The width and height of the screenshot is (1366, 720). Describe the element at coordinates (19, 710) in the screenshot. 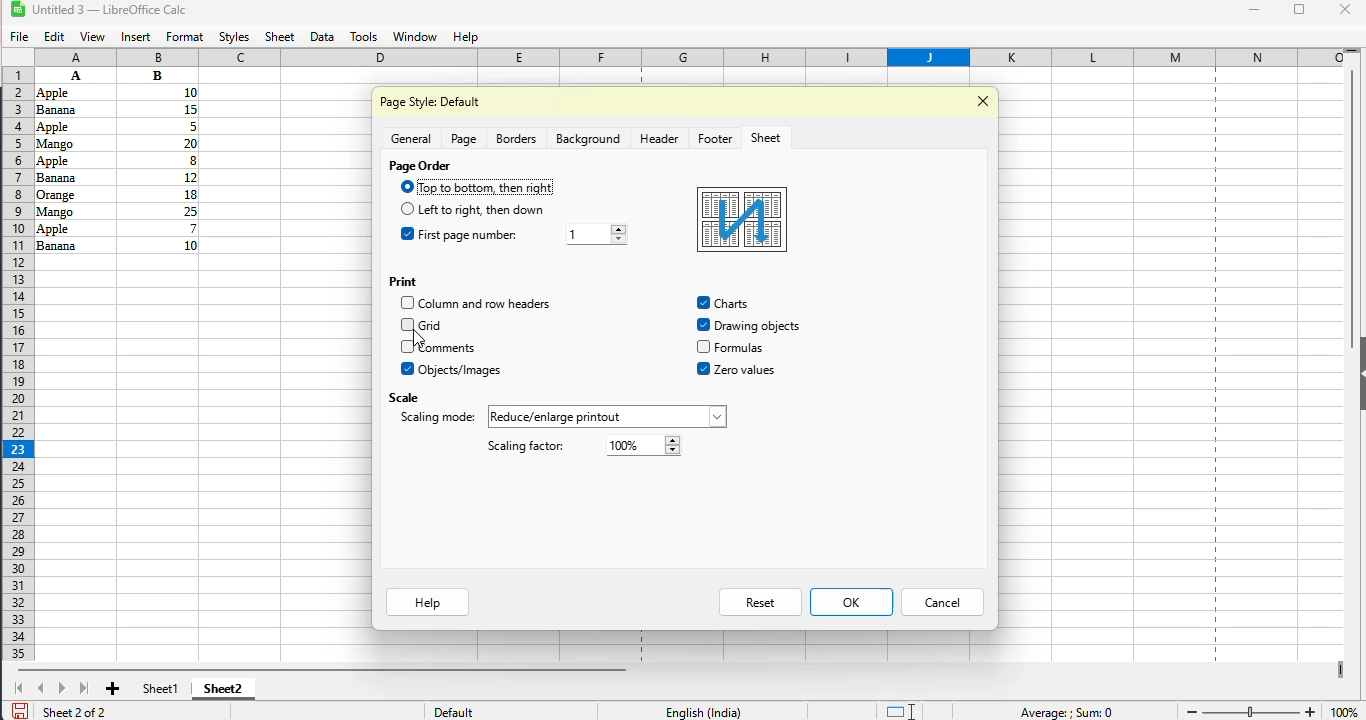

I see `click to save document` at that location.